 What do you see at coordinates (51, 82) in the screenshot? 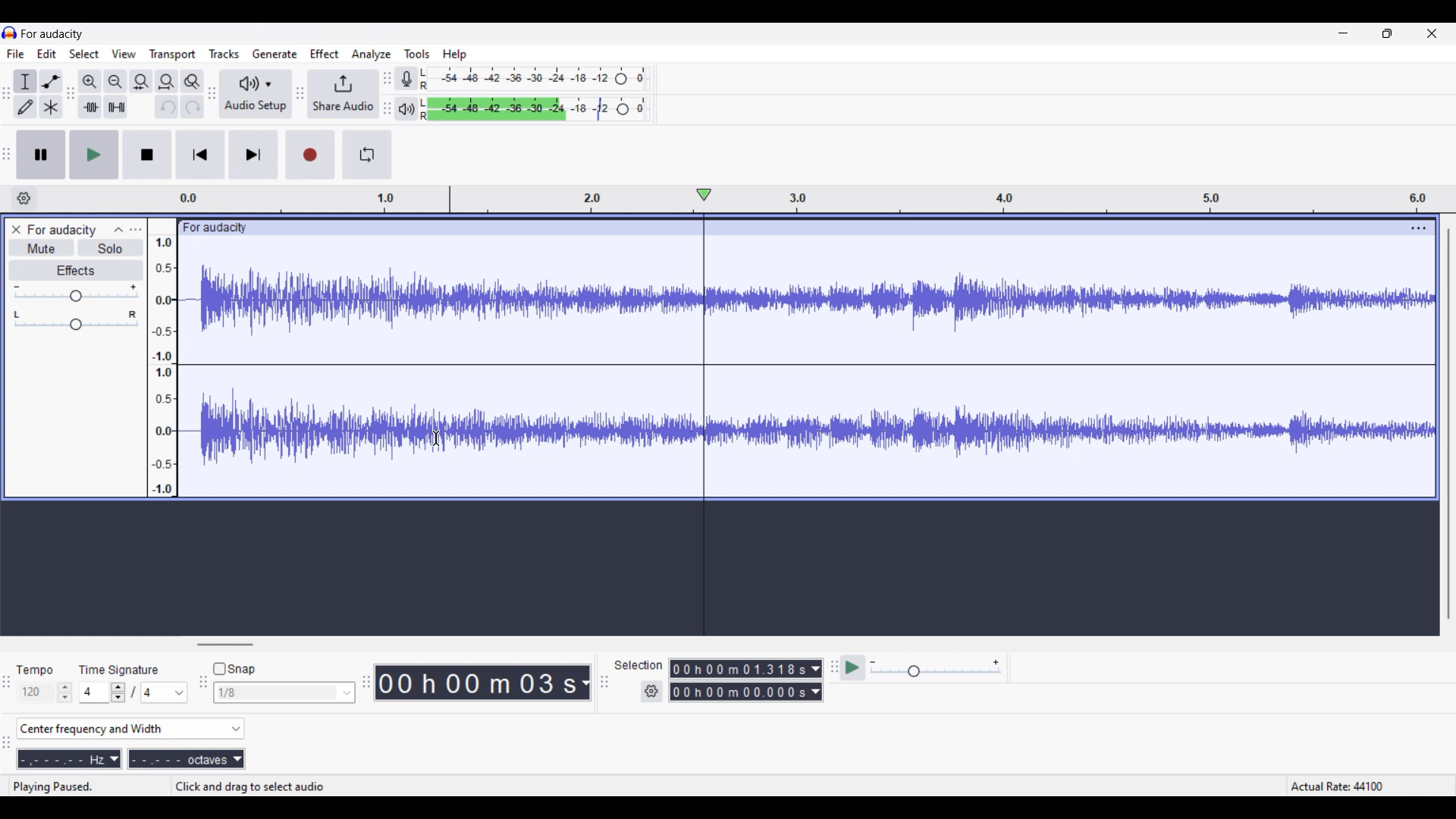
I see `Envelop tool` at bounding box center [51, 82].